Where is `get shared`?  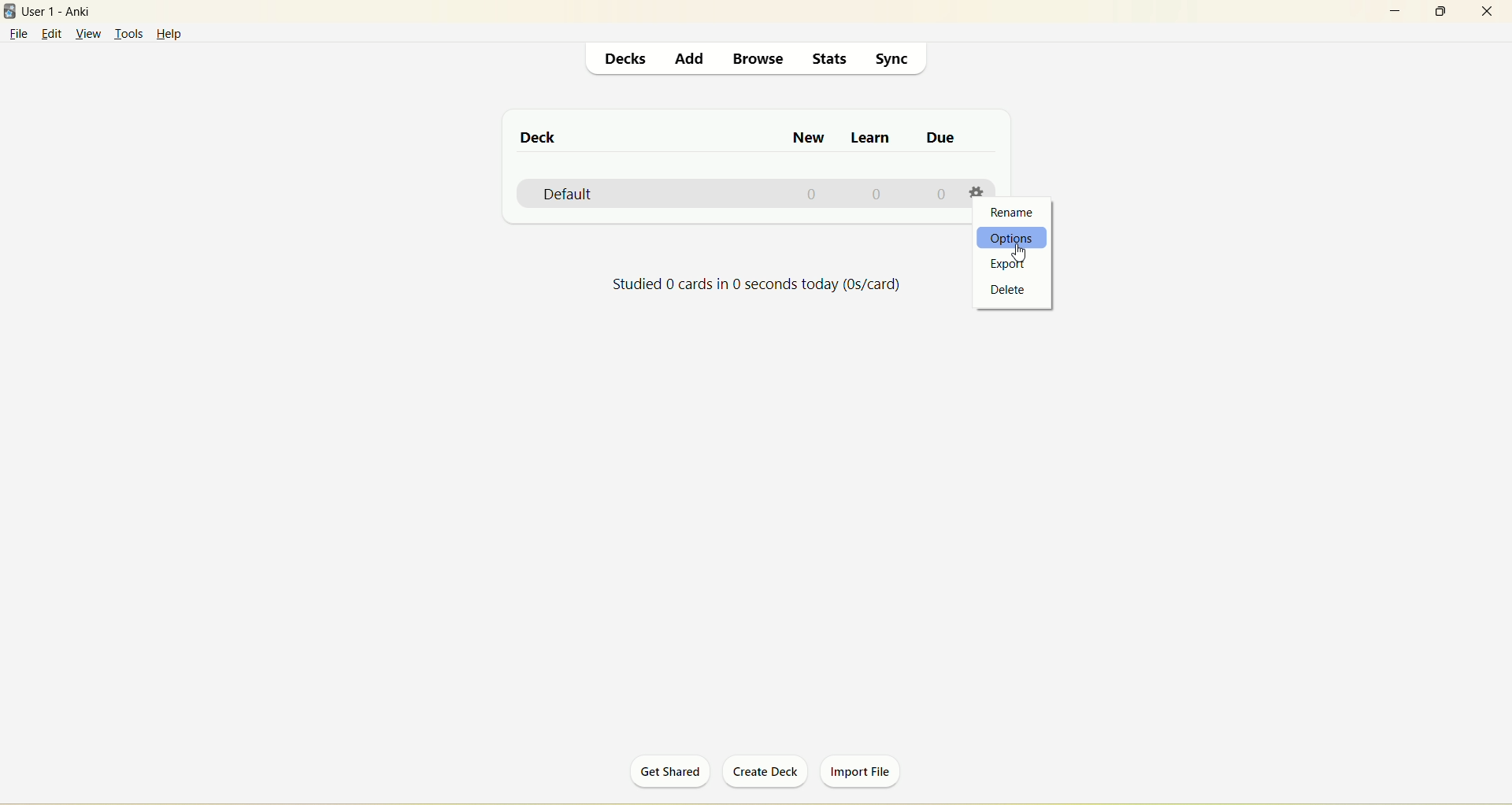
get shared is located at coordinates (665, 774).